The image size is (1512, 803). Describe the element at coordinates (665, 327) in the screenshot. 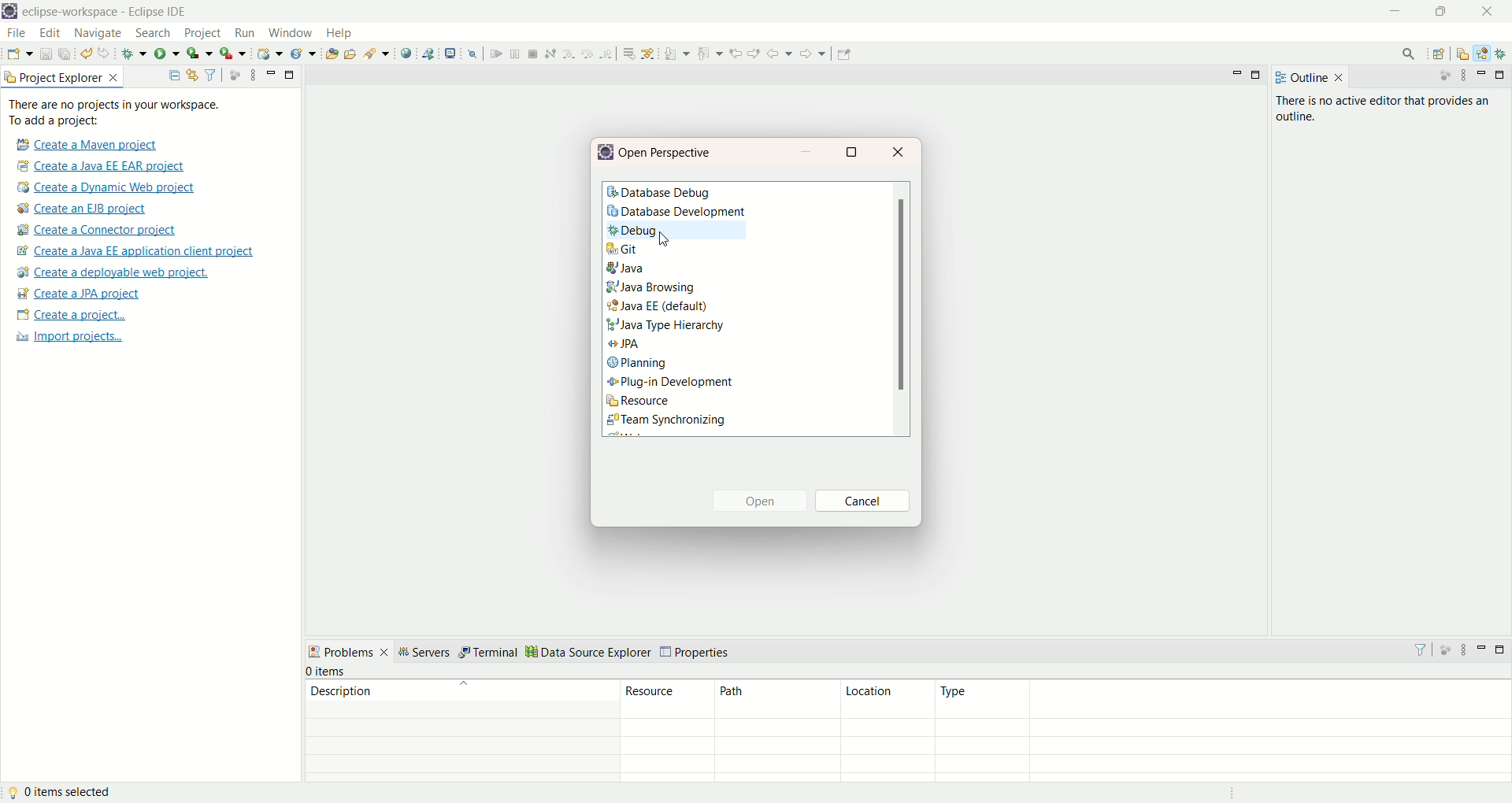

I see `Java Type hierarchy` at that location.